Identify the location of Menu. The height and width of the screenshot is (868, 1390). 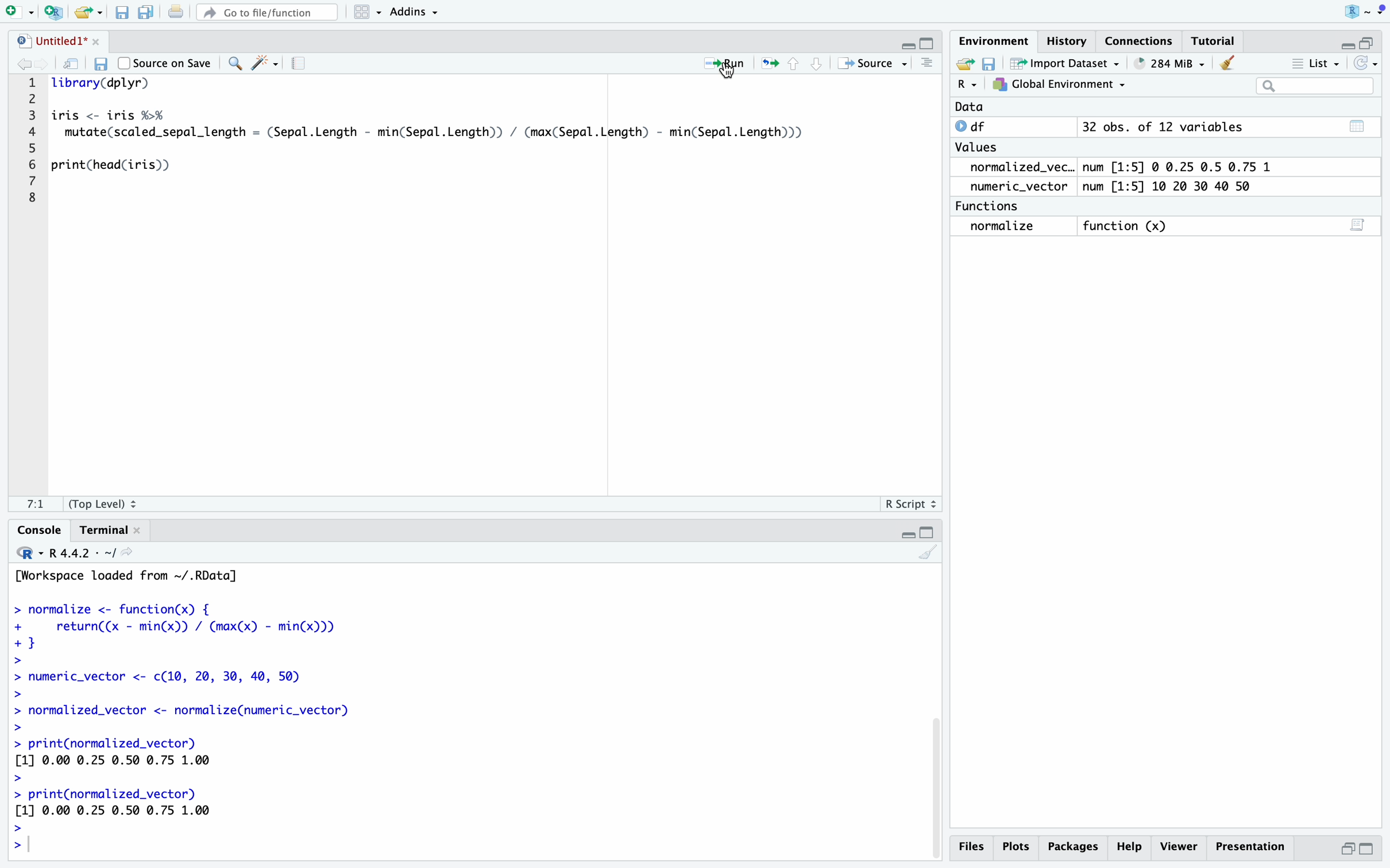
(368, 12).